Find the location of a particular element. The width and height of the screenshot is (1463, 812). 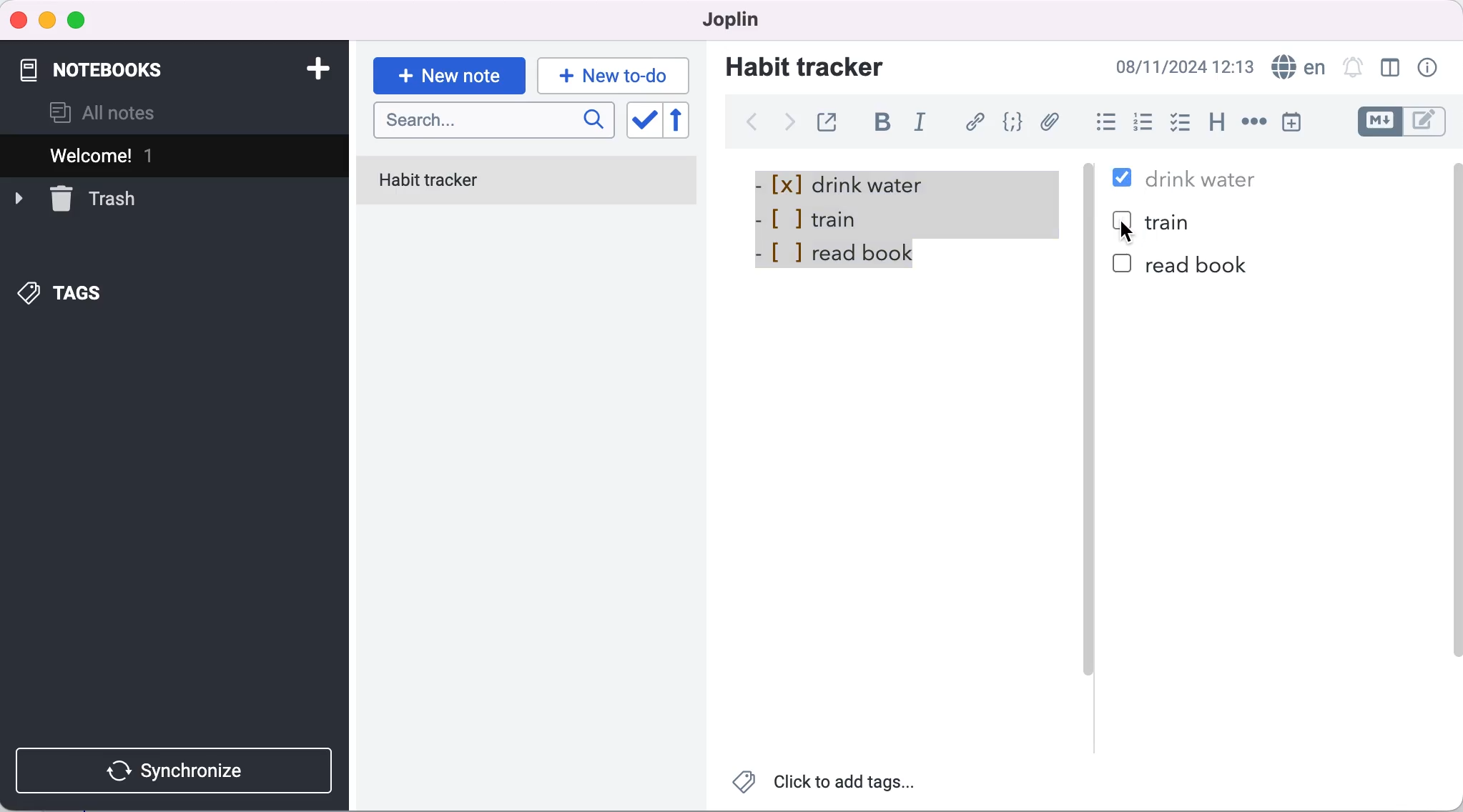

scroll bar is located at coordinates (1454, 442).